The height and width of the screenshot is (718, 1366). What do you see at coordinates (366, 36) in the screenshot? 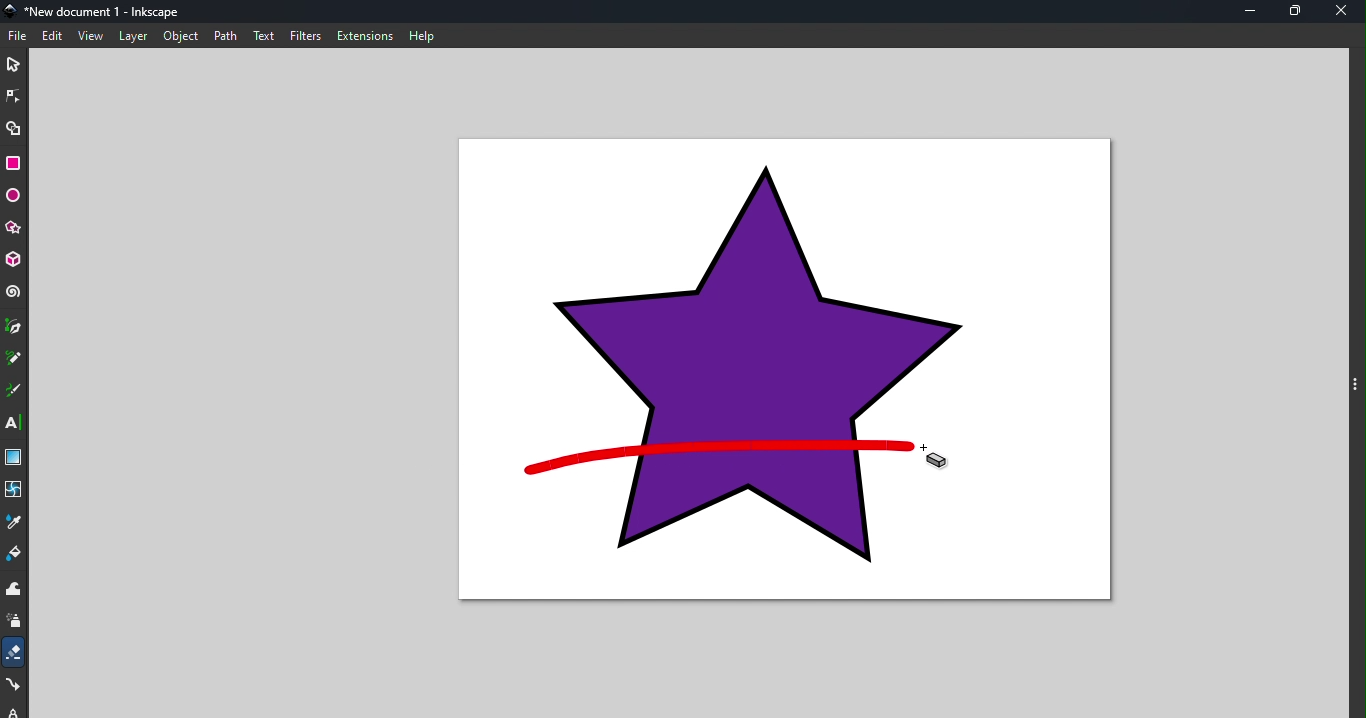
I see `extensions` at bounding box center [366, 36].